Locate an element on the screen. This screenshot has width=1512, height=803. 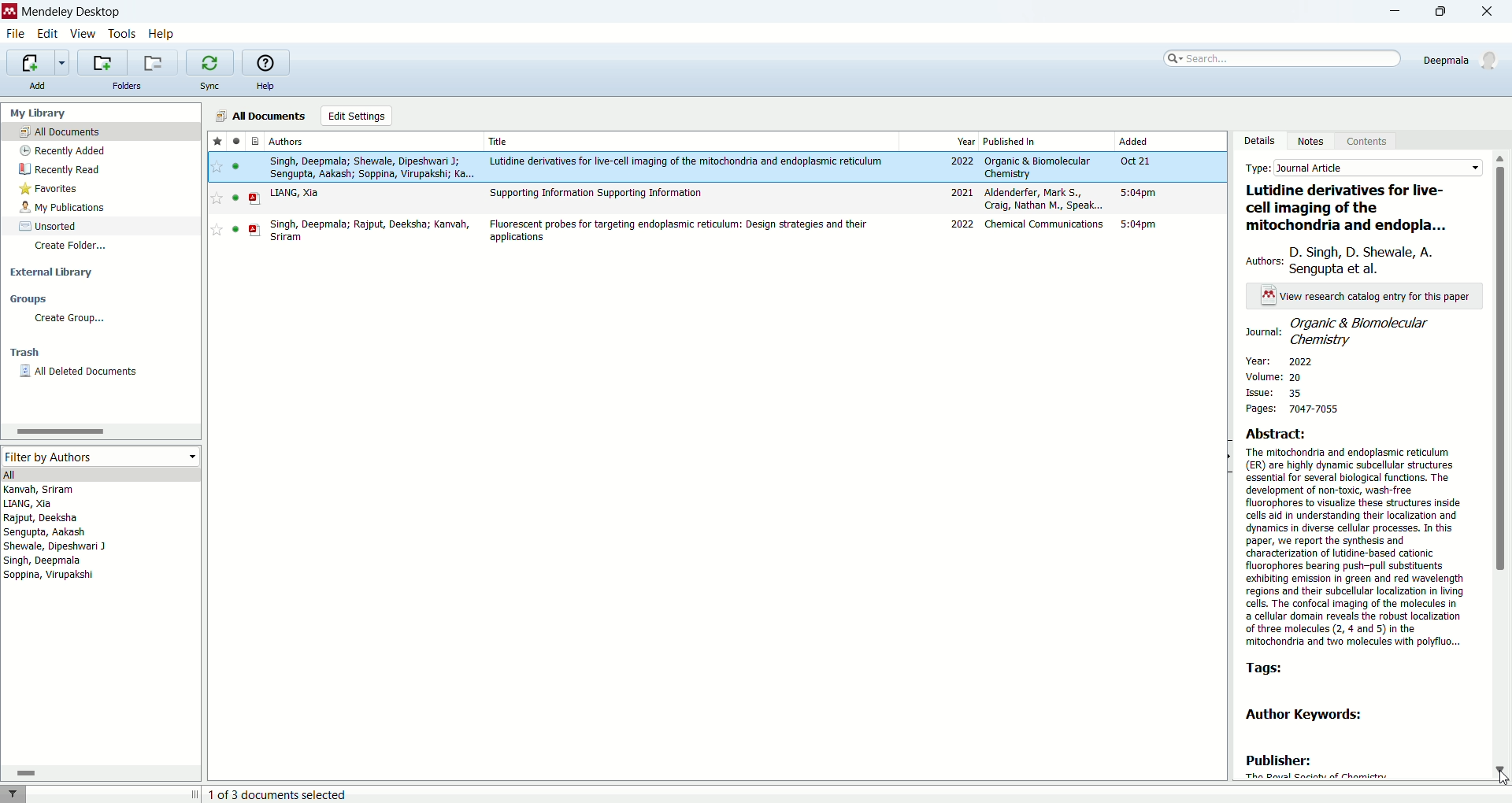
toggle expand/contract is located at coordinates (195, 794).